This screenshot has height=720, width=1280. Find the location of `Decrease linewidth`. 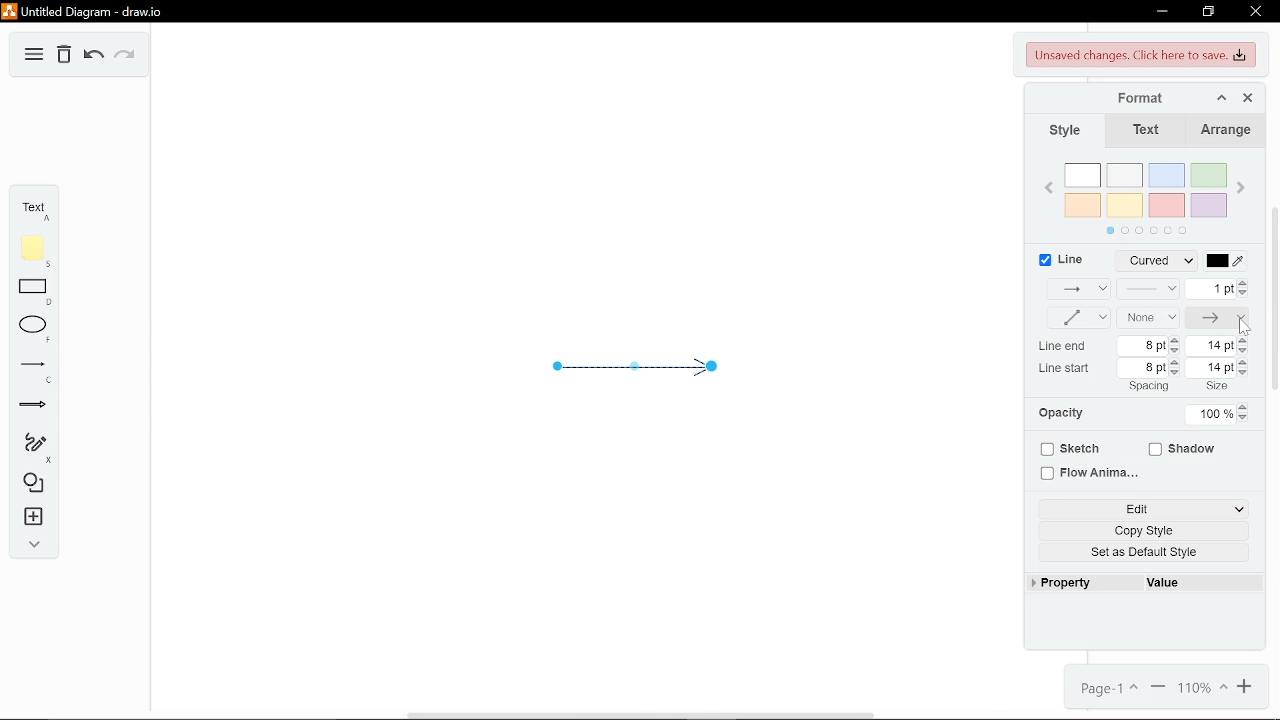

Decrease linewidth is located at coordinates (1246, 294).